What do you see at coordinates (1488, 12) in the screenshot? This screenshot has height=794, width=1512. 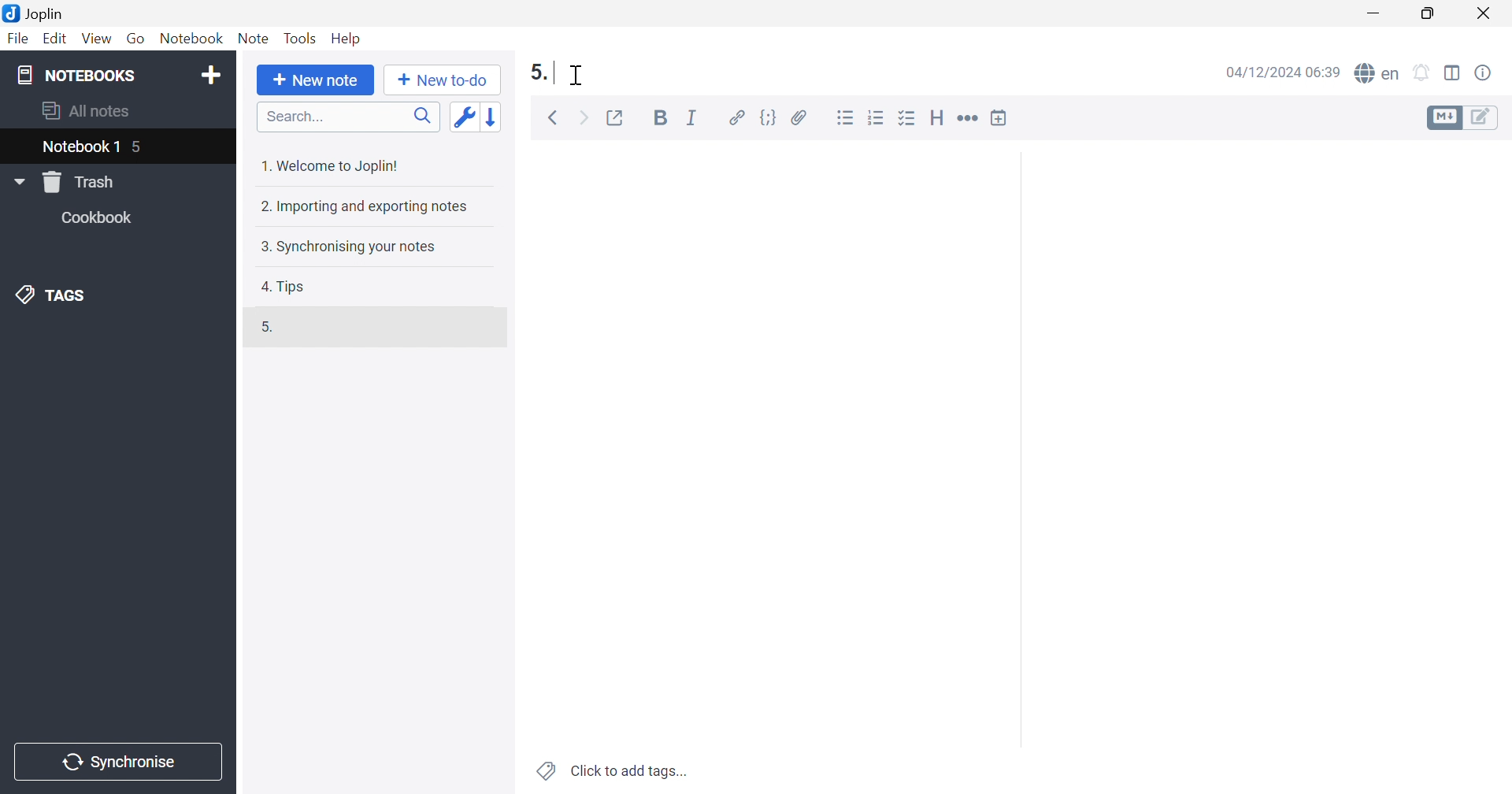 I see `Close` at bounding box center [1488, 12].